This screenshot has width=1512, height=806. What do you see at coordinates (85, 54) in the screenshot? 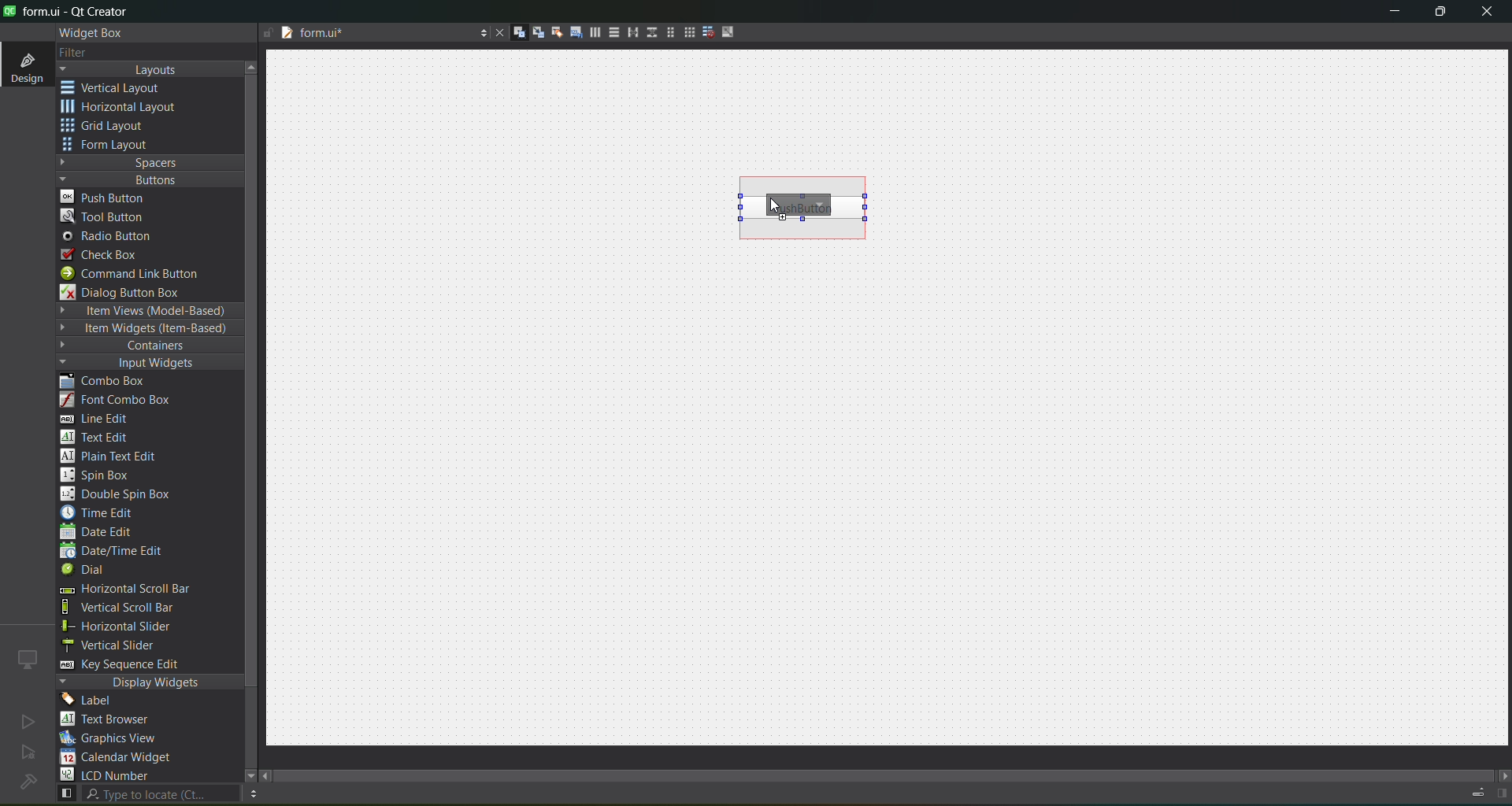
I see `filter` at bounding box center [85, 54].